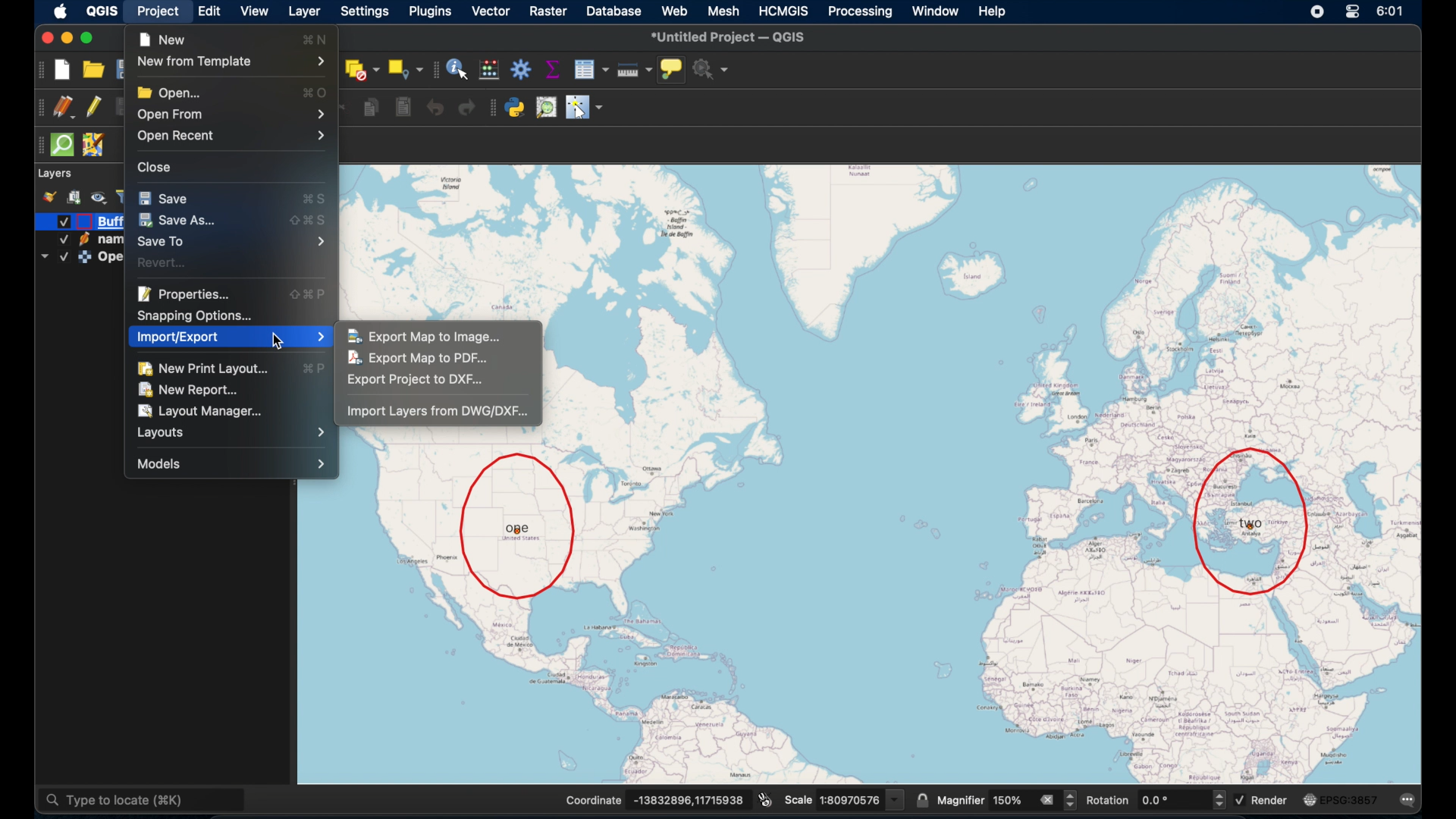 The width and height of the screenshot is (1456, 819). I want to click on icon, so click(83, 240).